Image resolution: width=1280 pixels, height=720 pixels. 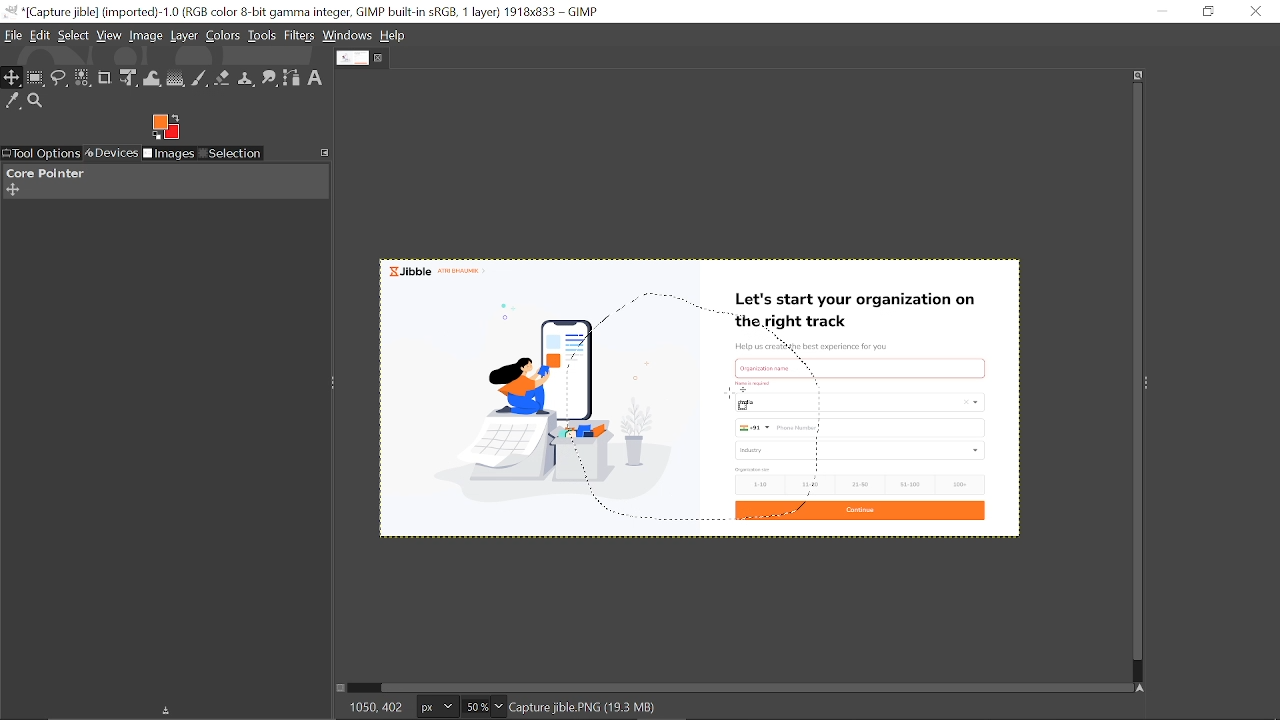 What do you see at coordinates (305, 12) in the screenshot?
I see `Current window` at bounding box center [305, 12].